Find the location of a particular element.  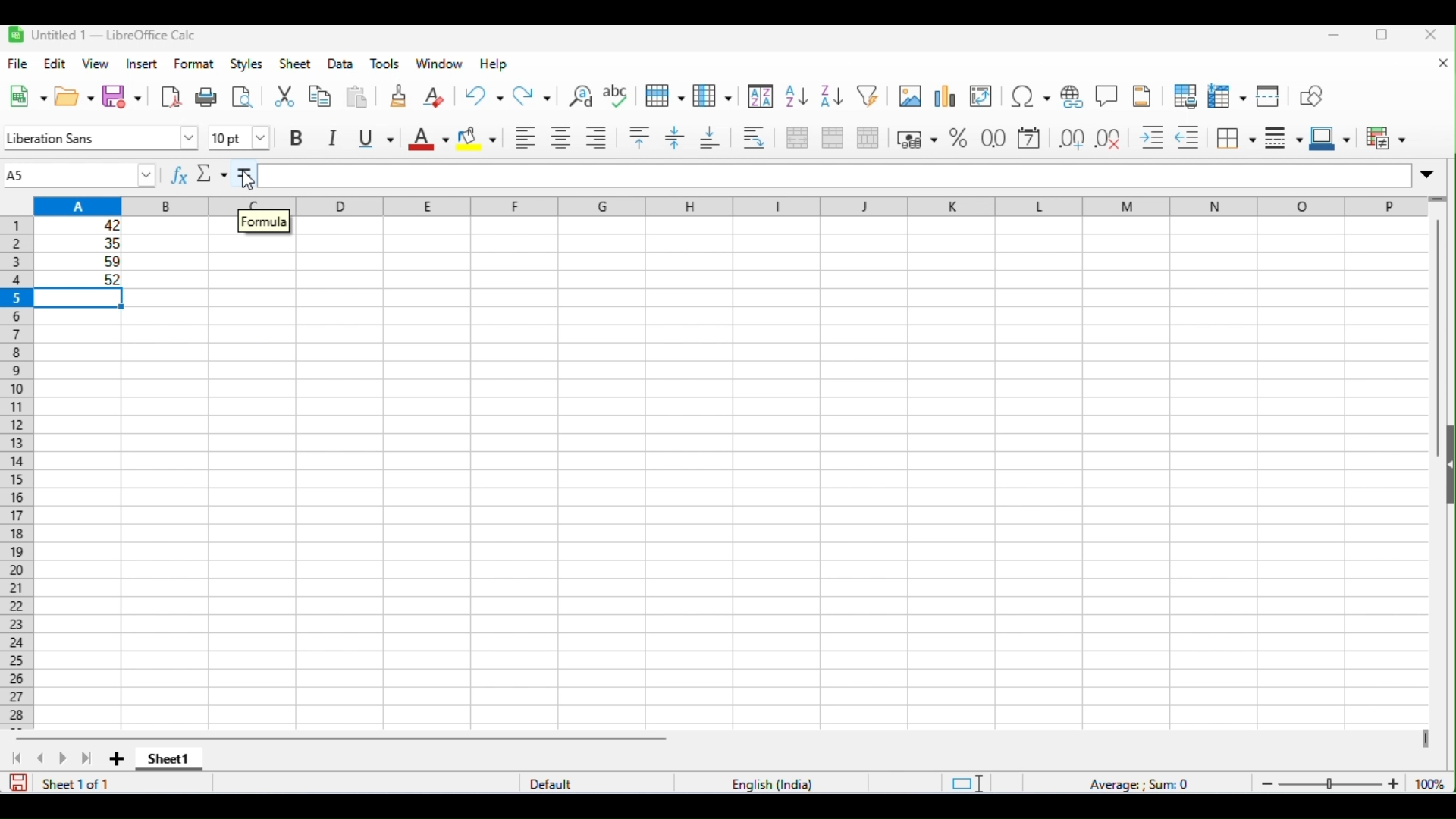

close is located at coordinates (1430, 35).